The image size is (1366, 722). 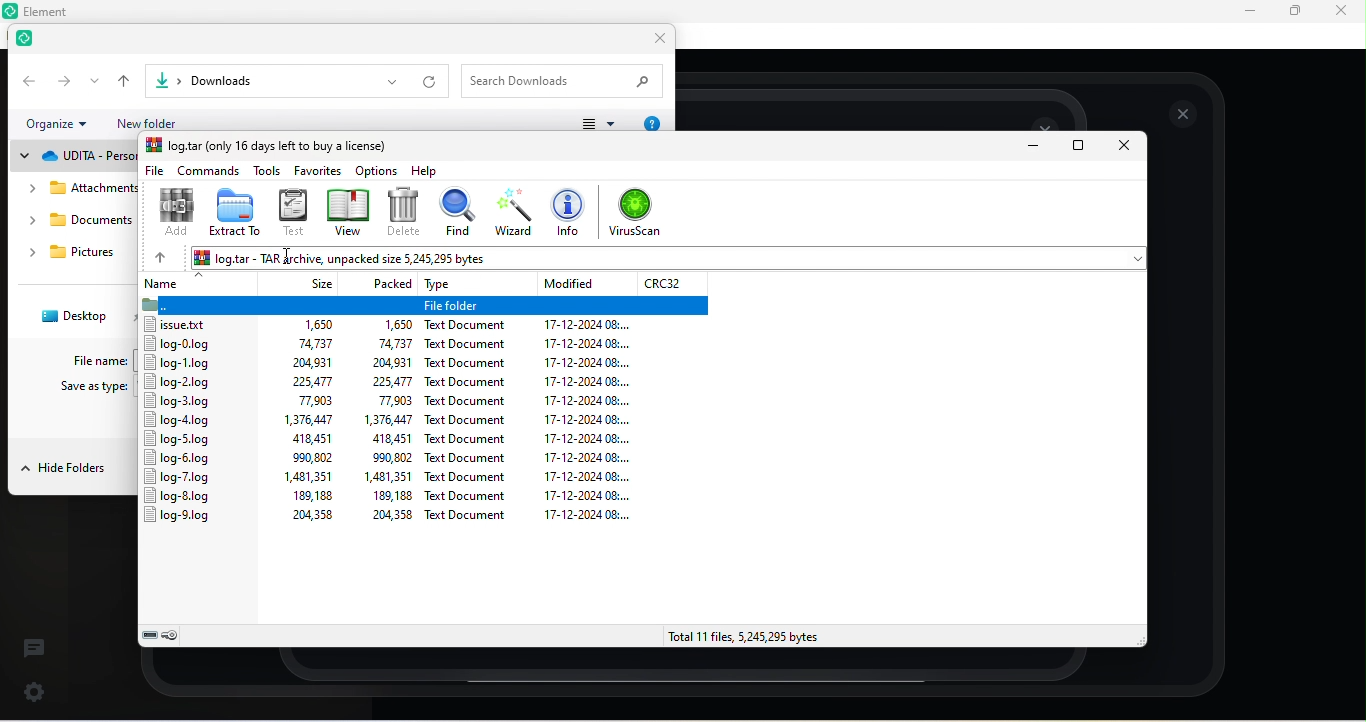 I want to click on type, so click(x=449, y=285).